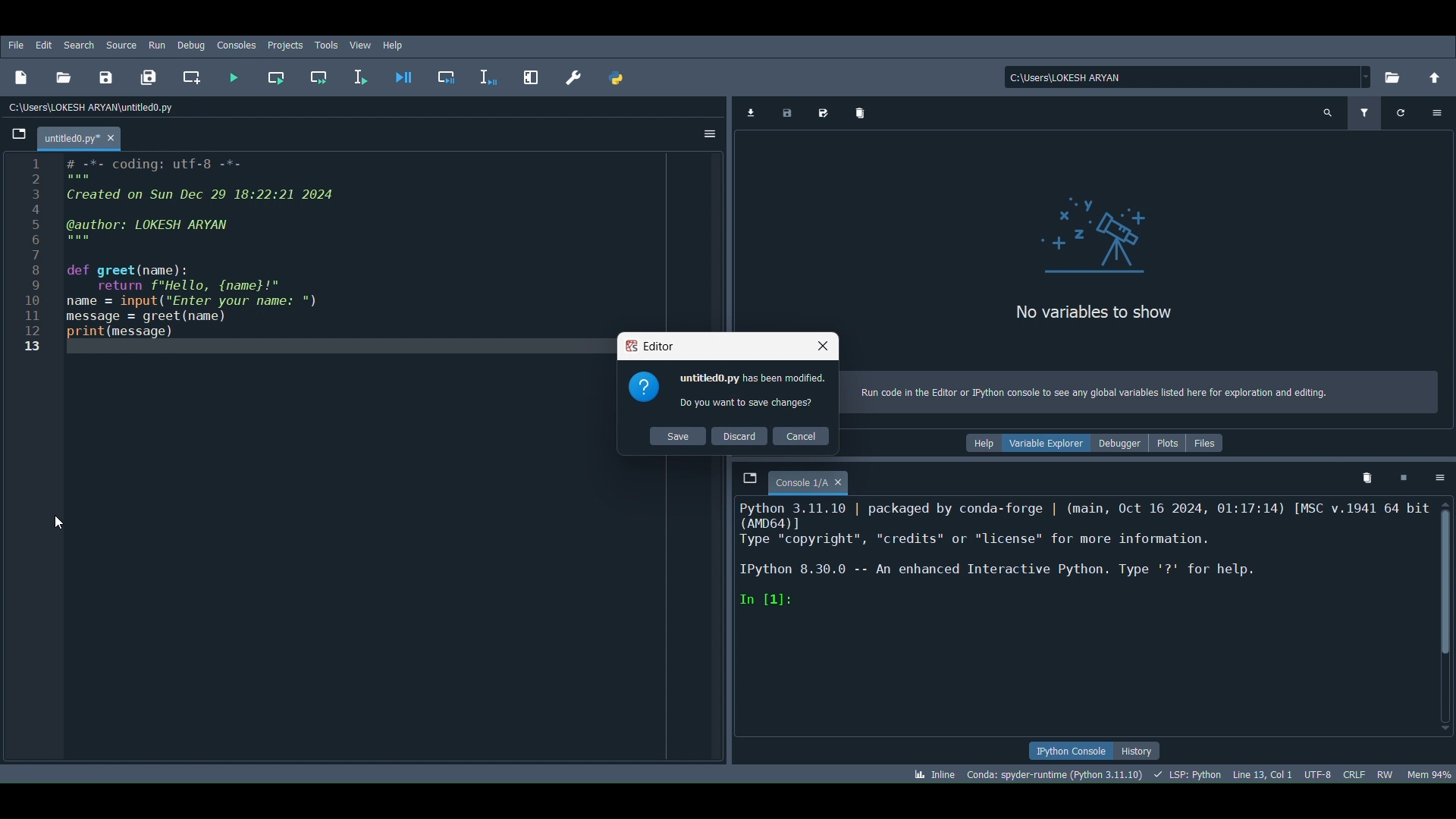  What do you see at coordinates (980, 446) in the screenshot?
I see `help` at bounding box center [980, 446].